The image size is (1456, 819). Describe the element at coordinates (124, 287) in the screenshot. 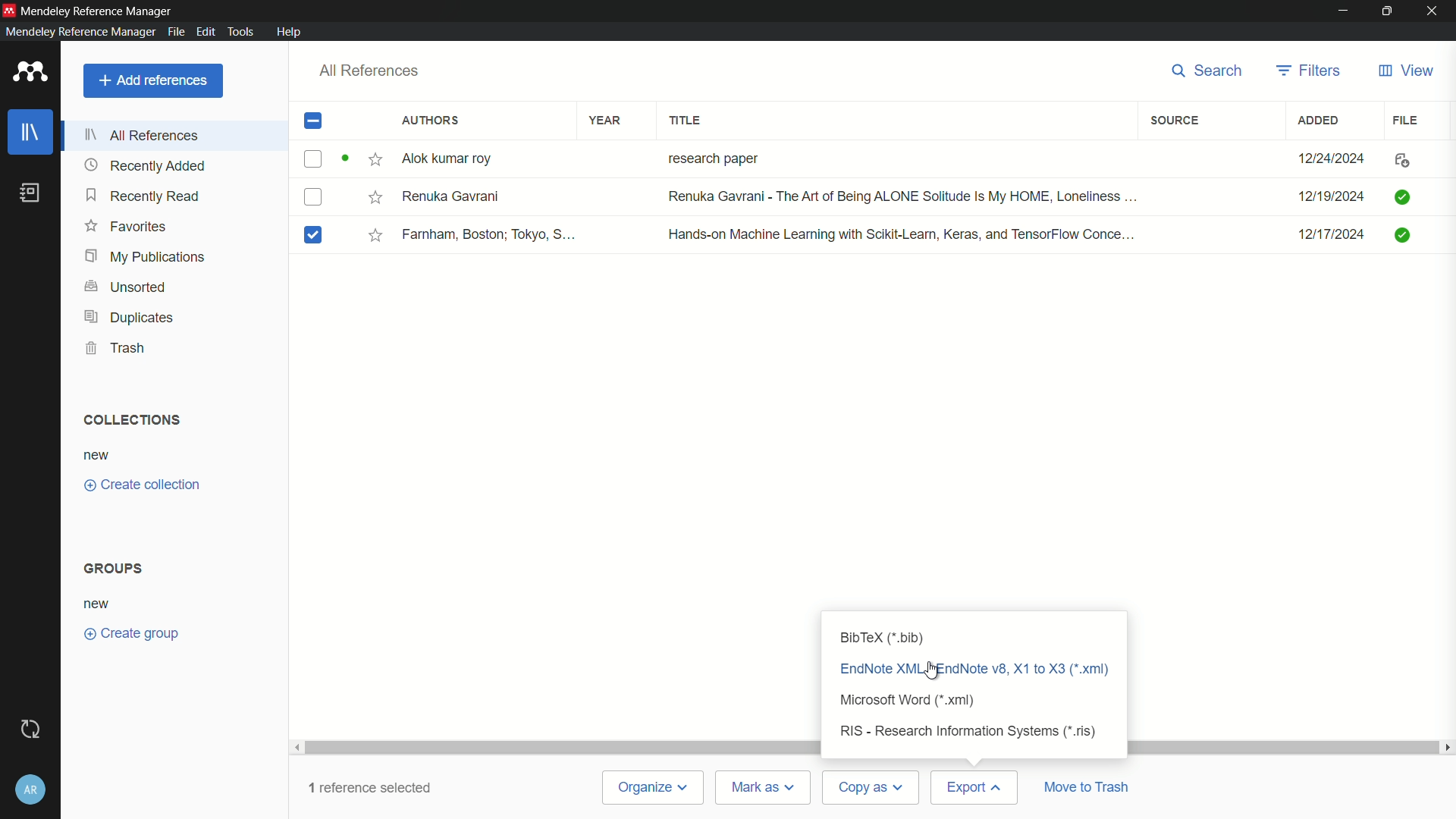

I see `unsorted` at that location.